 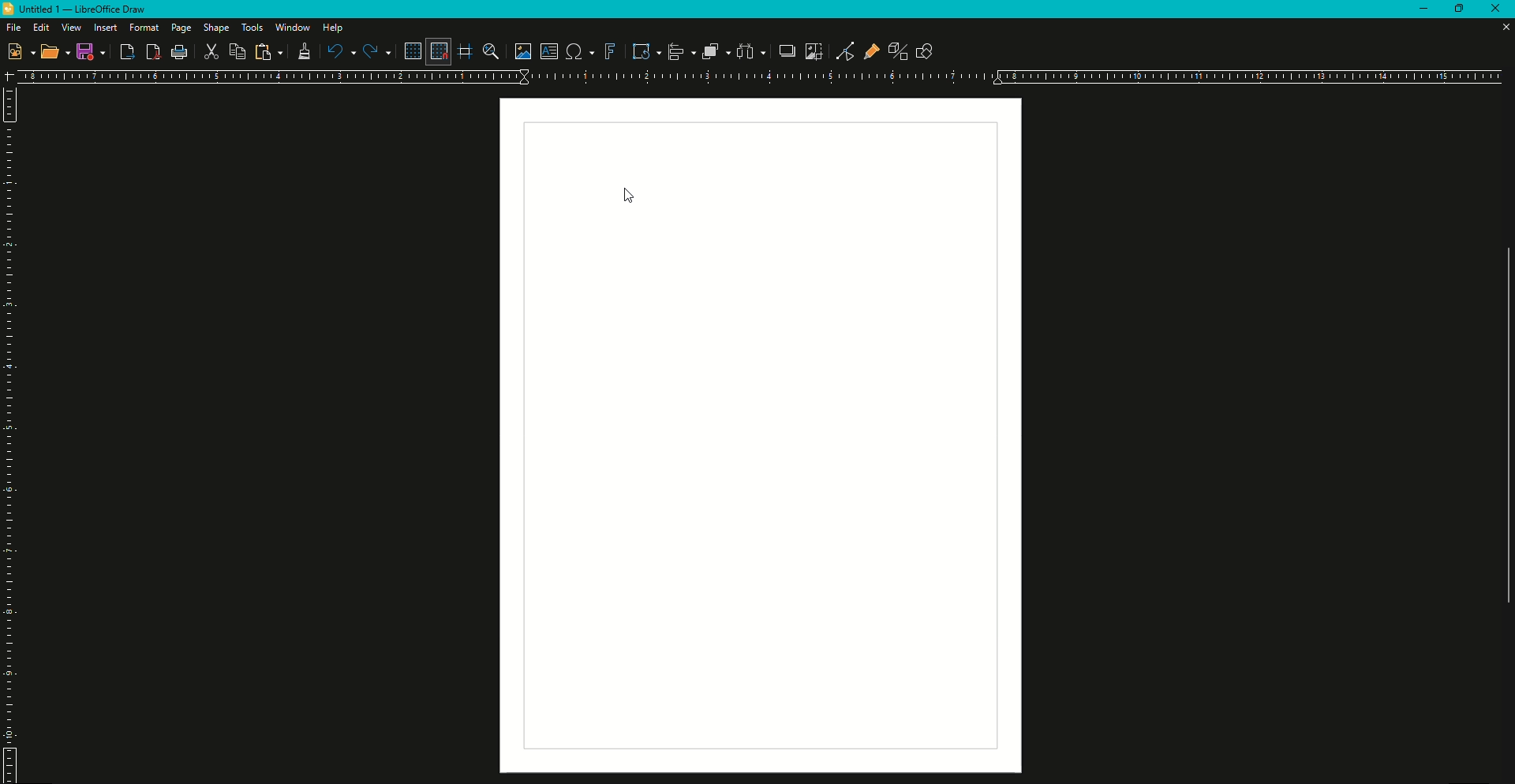 I want to click on Print, so click(x=181, y=53).